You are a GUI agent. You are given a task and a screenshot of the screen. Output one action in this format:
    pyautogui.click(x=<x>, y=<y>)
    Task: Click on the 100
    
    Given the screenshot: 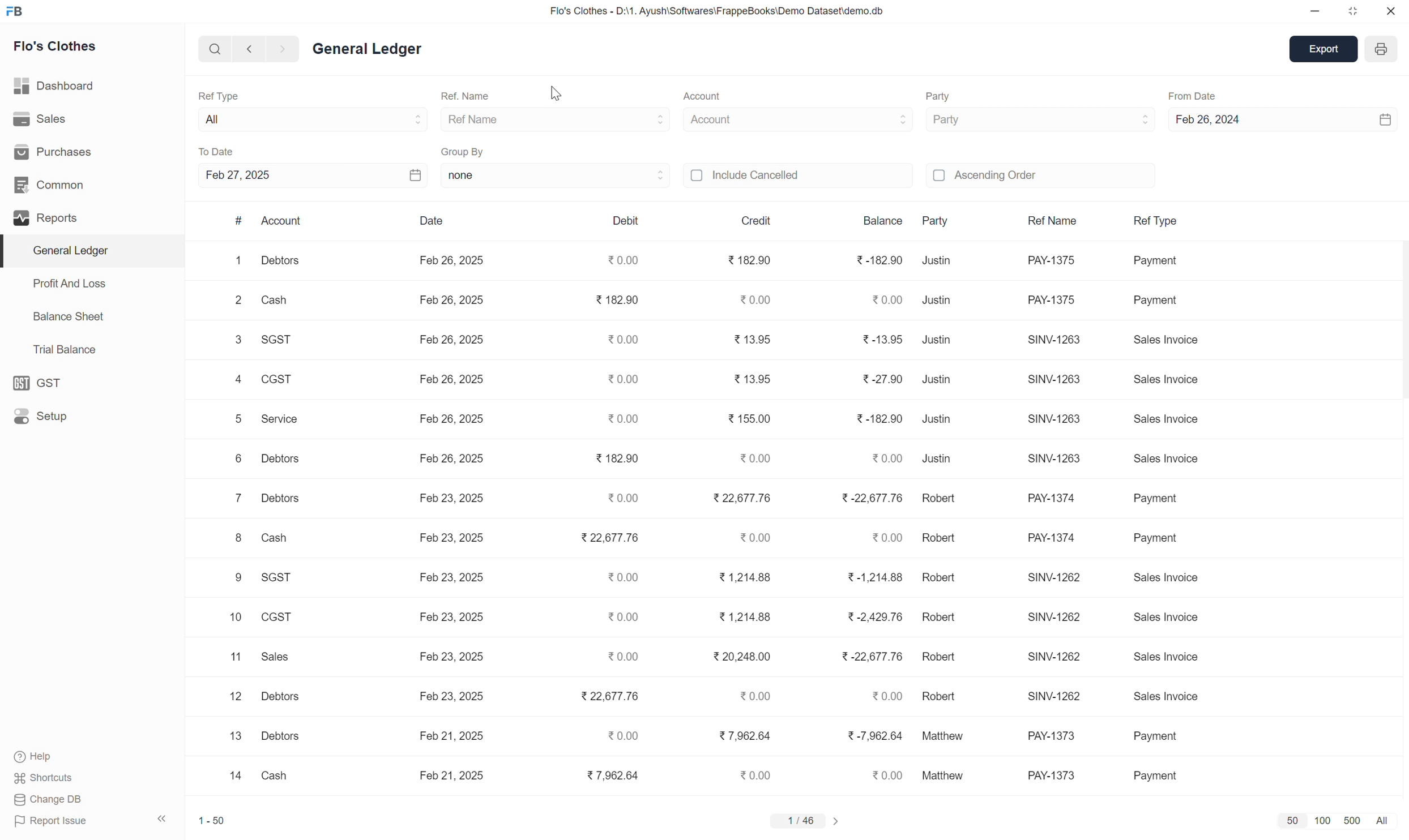 What is the action you would take?
    pyautogui.click(x=1324, y=821)
    